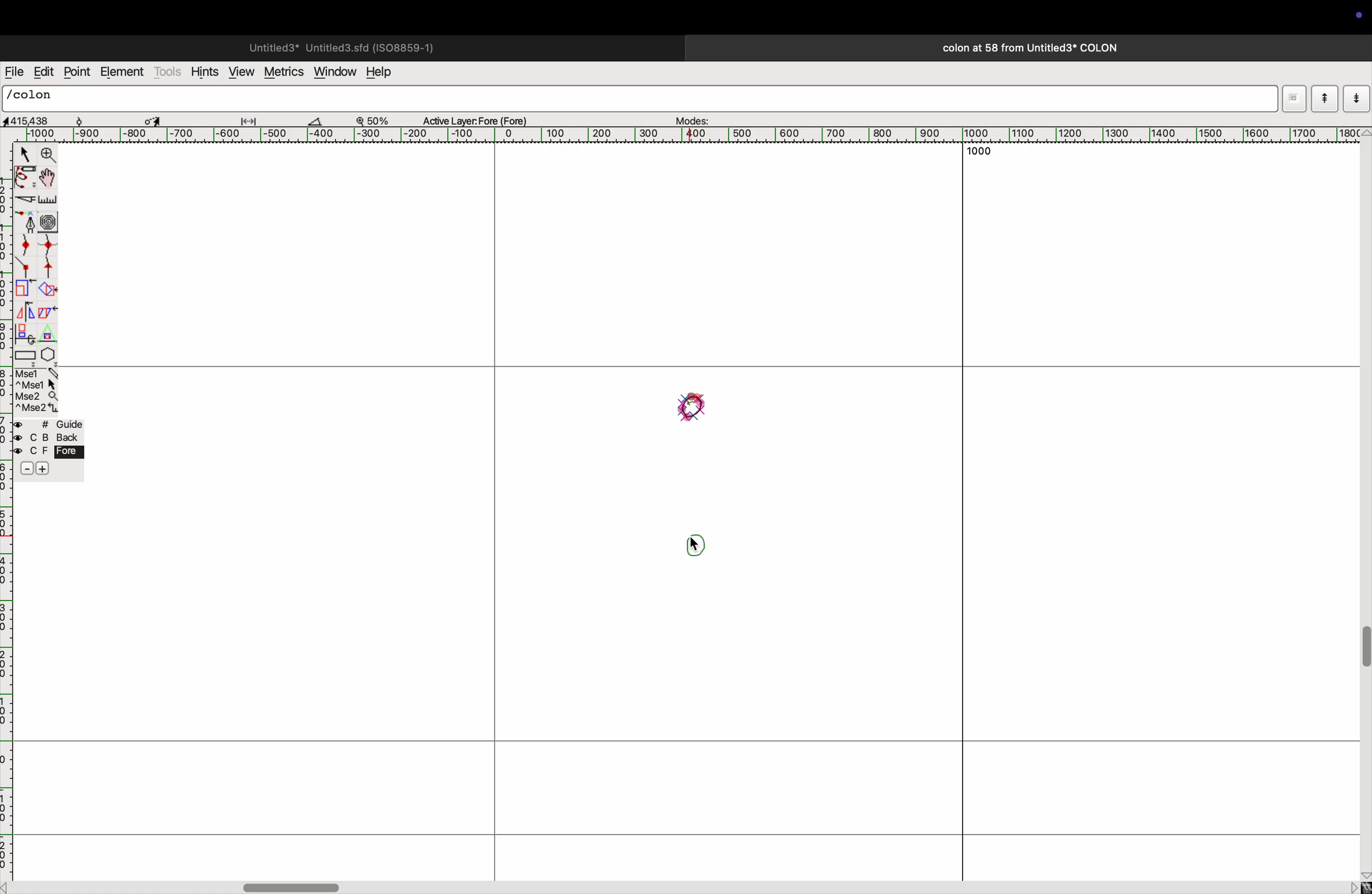 The height and width of the screenshot is (894, 1372). Describe the element at coordinates (295, 885) in the screenshot. I see `toggle` at that location.